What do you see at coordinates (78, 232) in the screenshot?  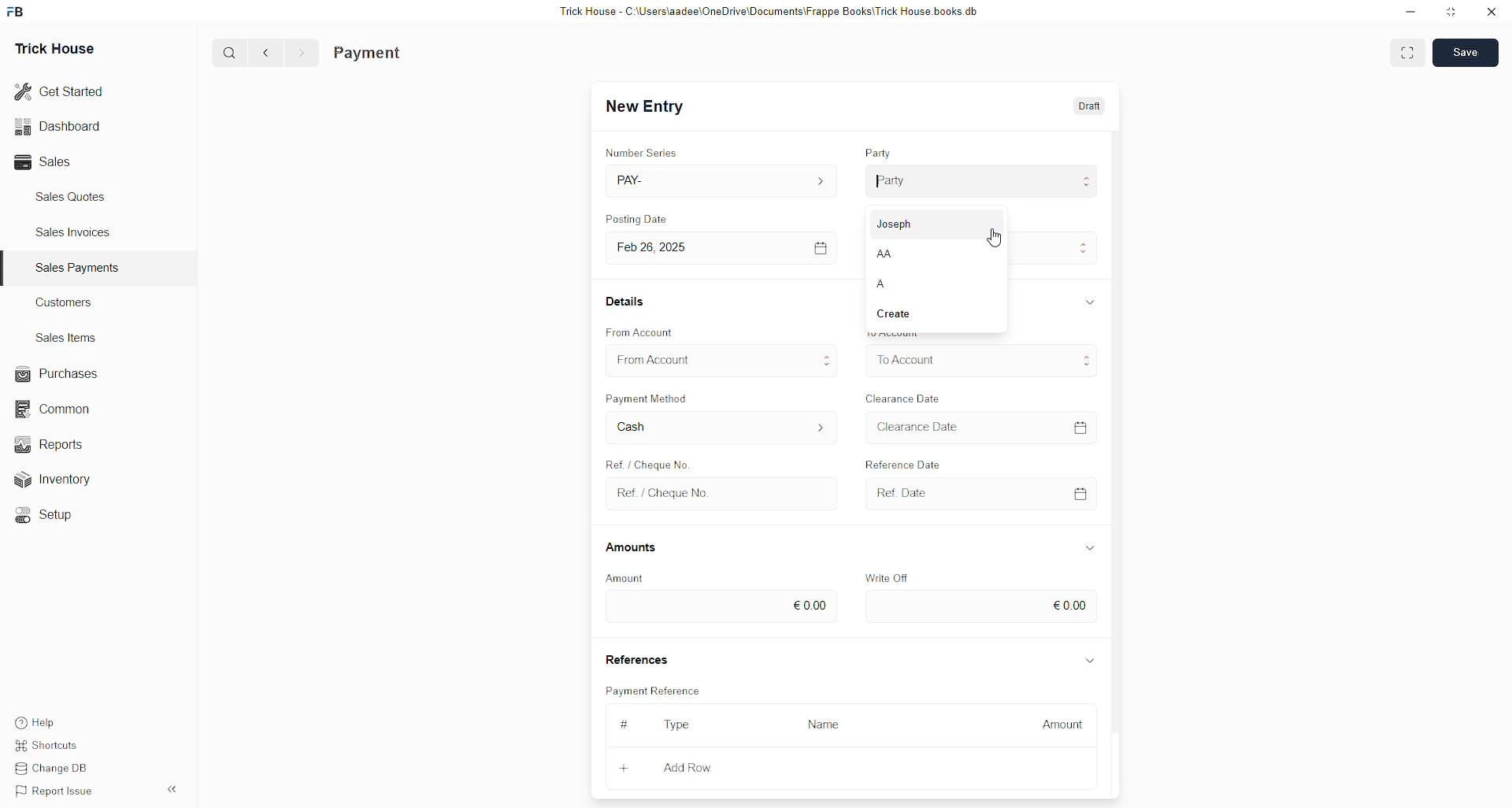 I see `Sales Invoices` at bounding box center [78, 232].